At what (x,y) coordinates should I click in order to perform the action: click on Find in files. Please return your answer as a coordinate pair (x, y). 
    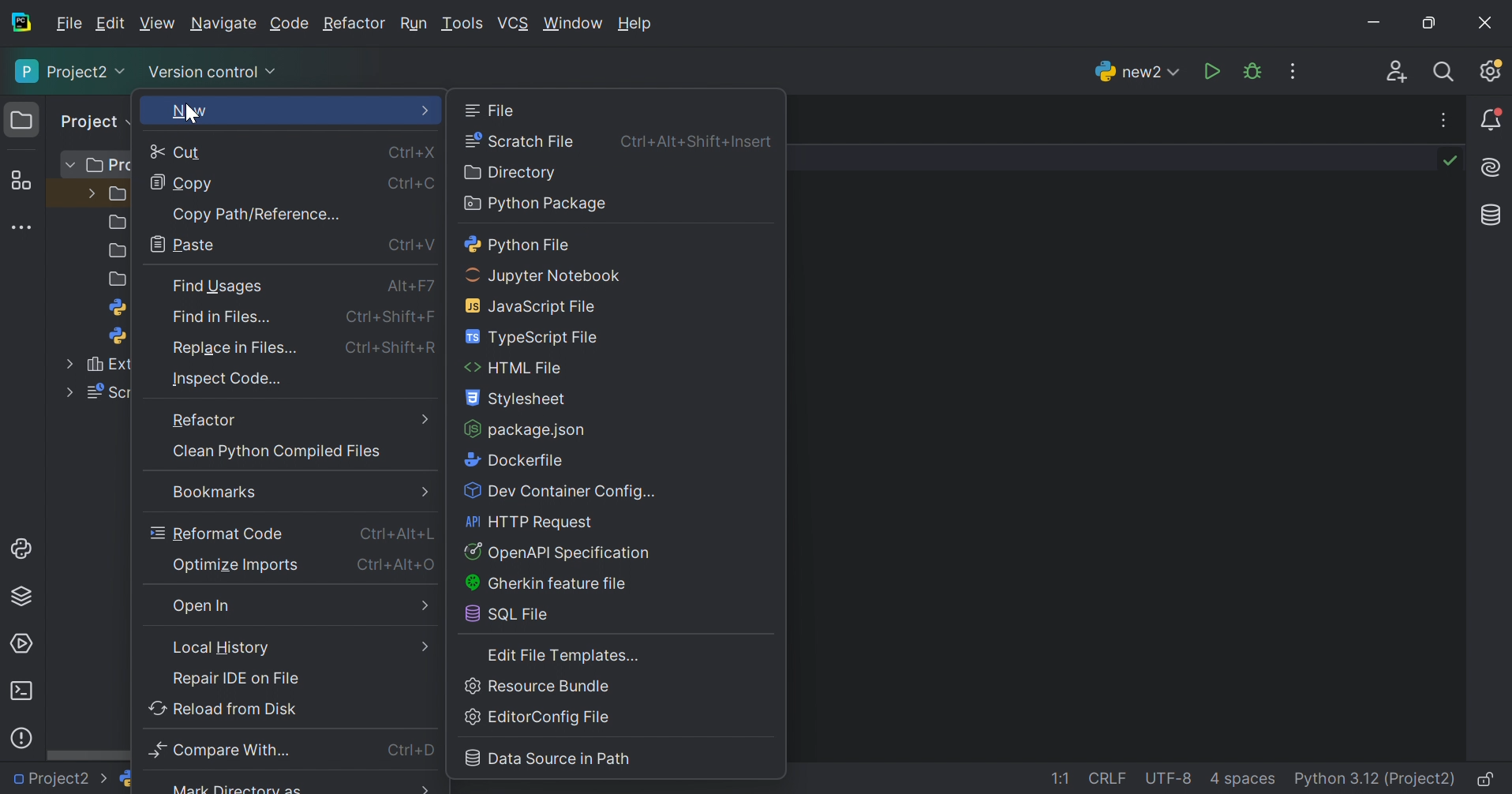
    Looking at the image, I should click on (228, 320).